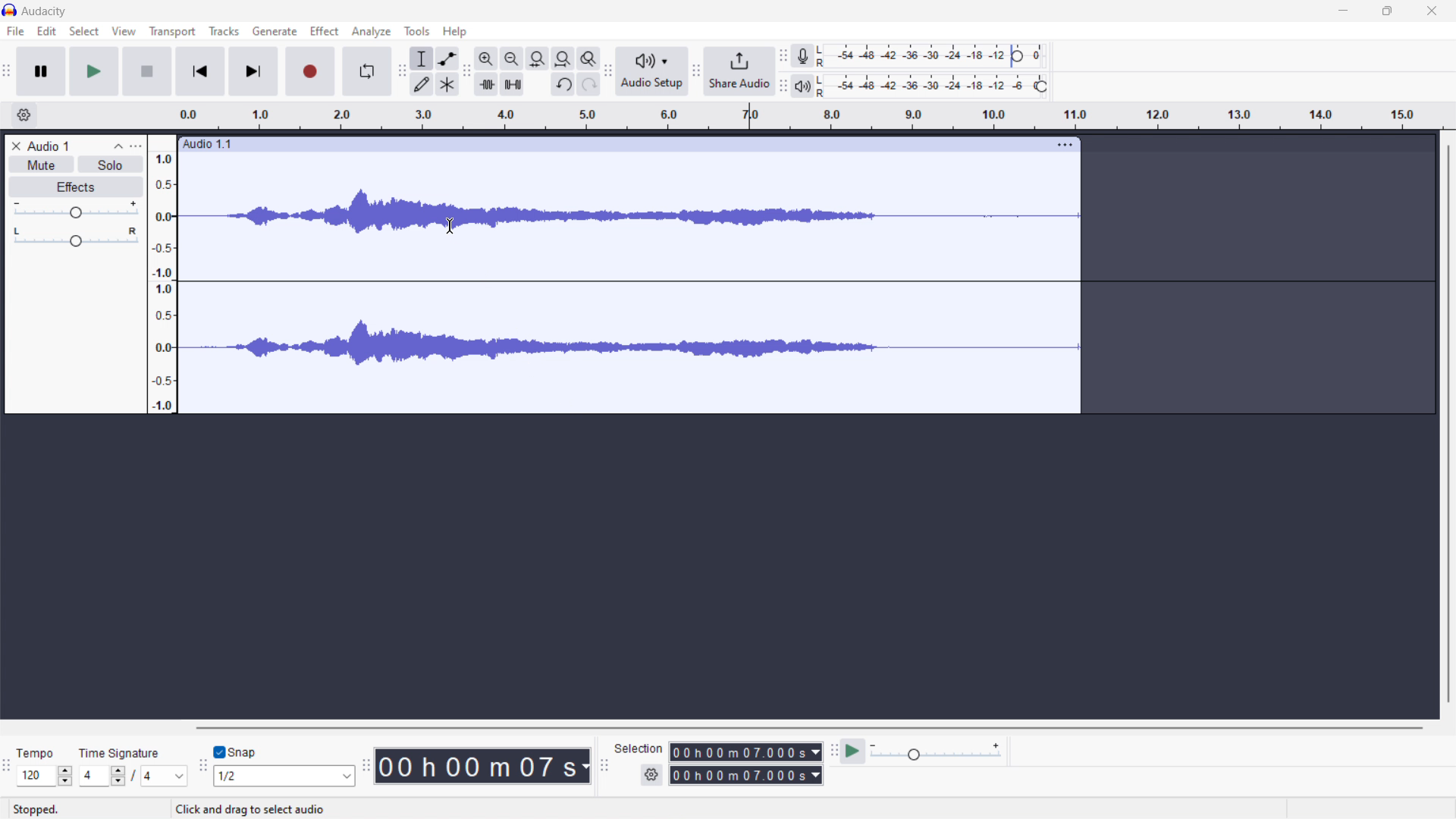 Image resolution: width=1456 pixels, height=819 pixels. What do you see at coordinates (45, 12) in the screenshot?
I see `audacity` at bounding box center [45, 12].